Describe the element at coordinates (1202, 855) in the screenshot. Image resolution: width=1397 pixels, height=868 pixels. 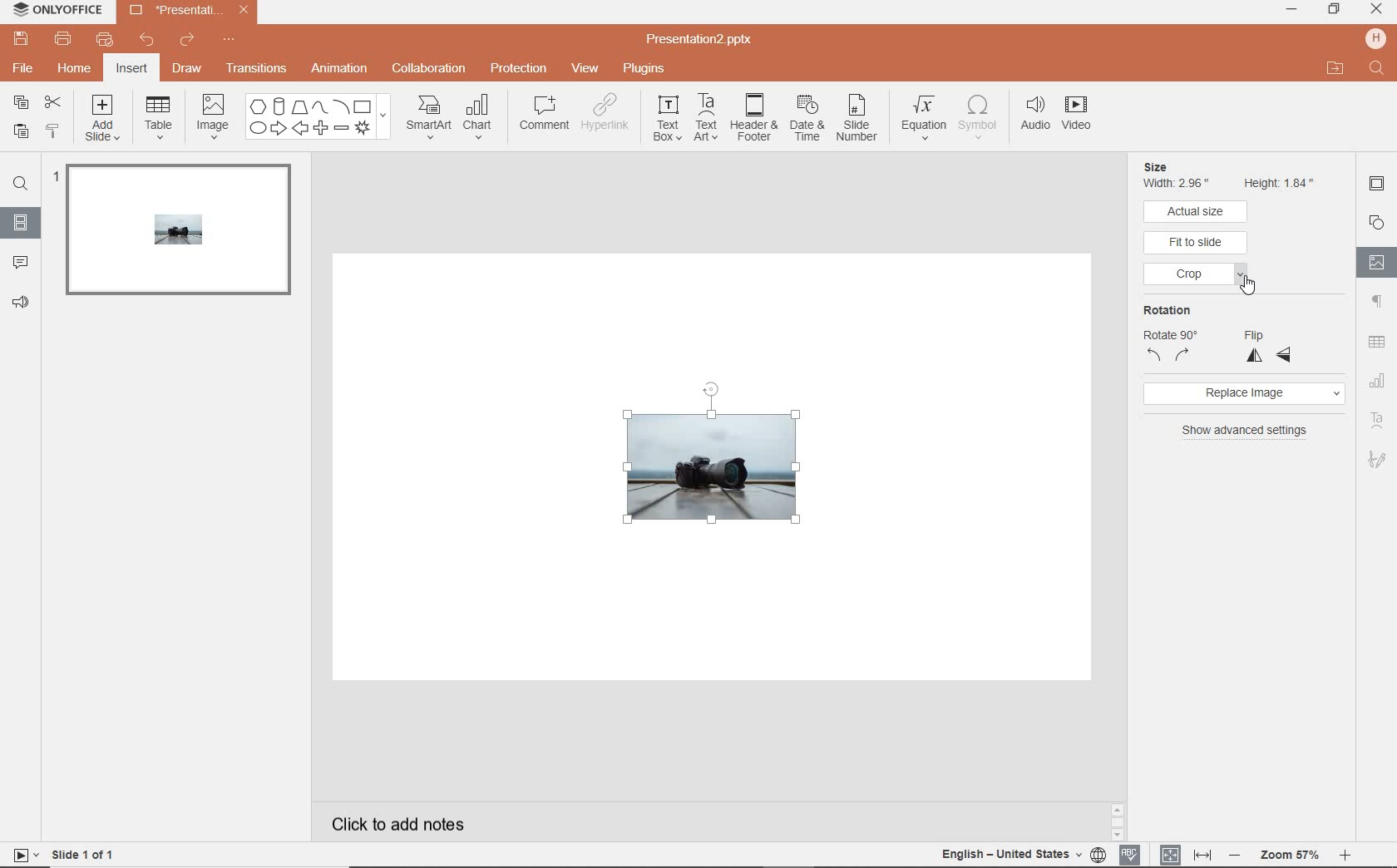
I see `fit to width` at that location.